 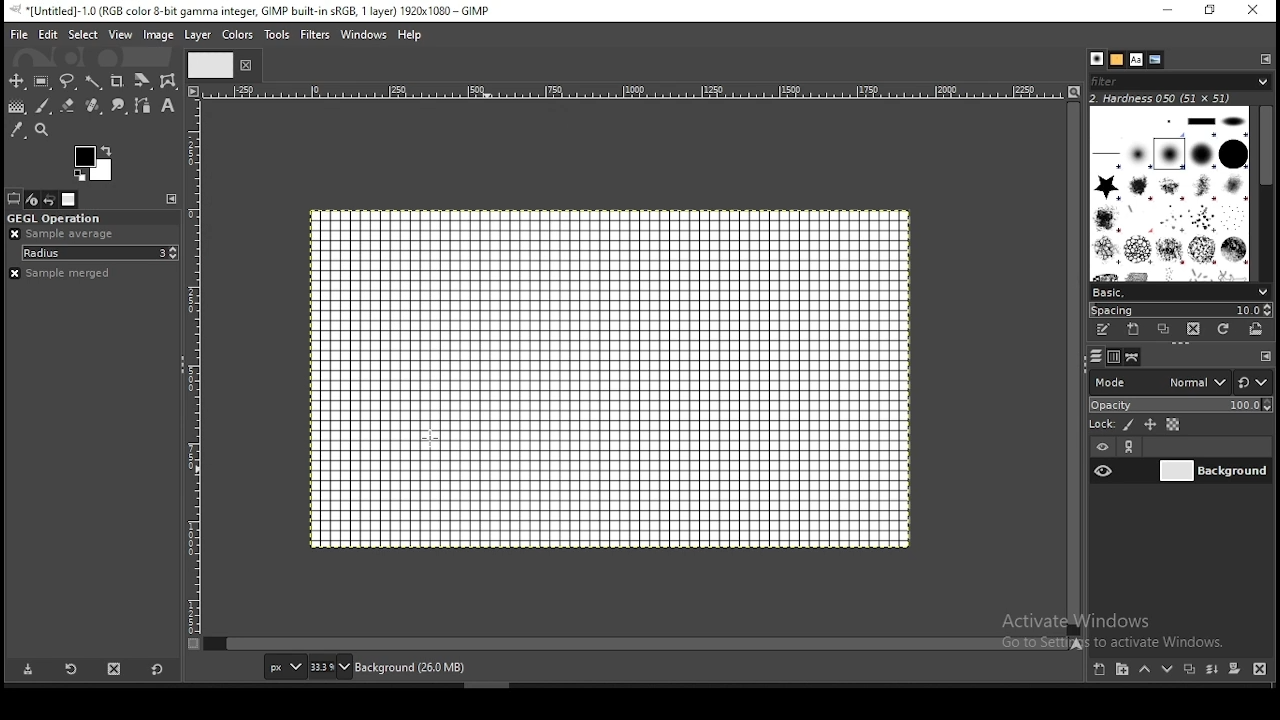 What do you see at coordinates (168, 80) in the screenshot?
I see `wrap transform` at bounding box center [168, 80].